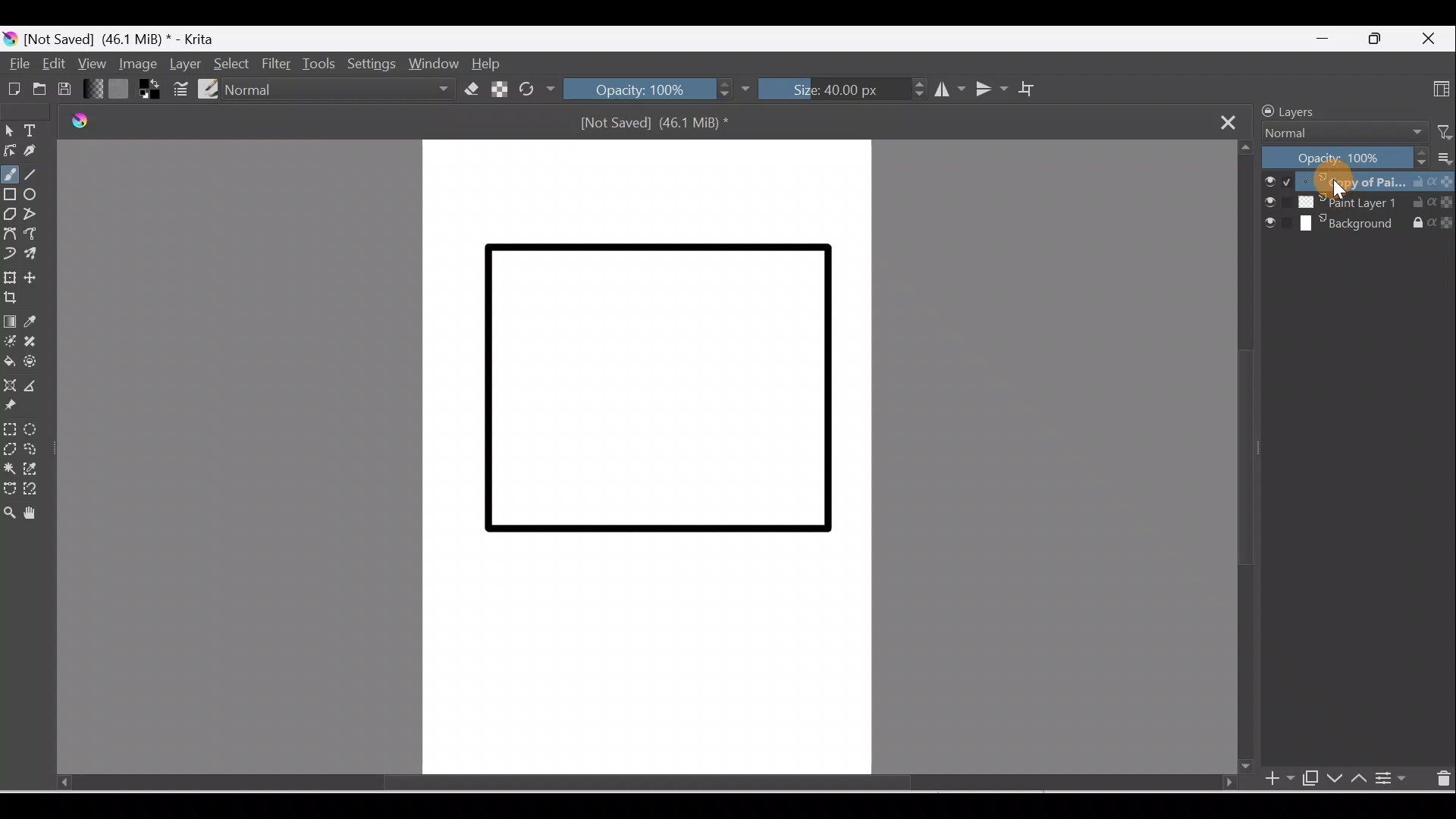  What do you see at coordinates (642, 458) in the screenshot?
I see `Canvas` at bounding box center [642, 458].